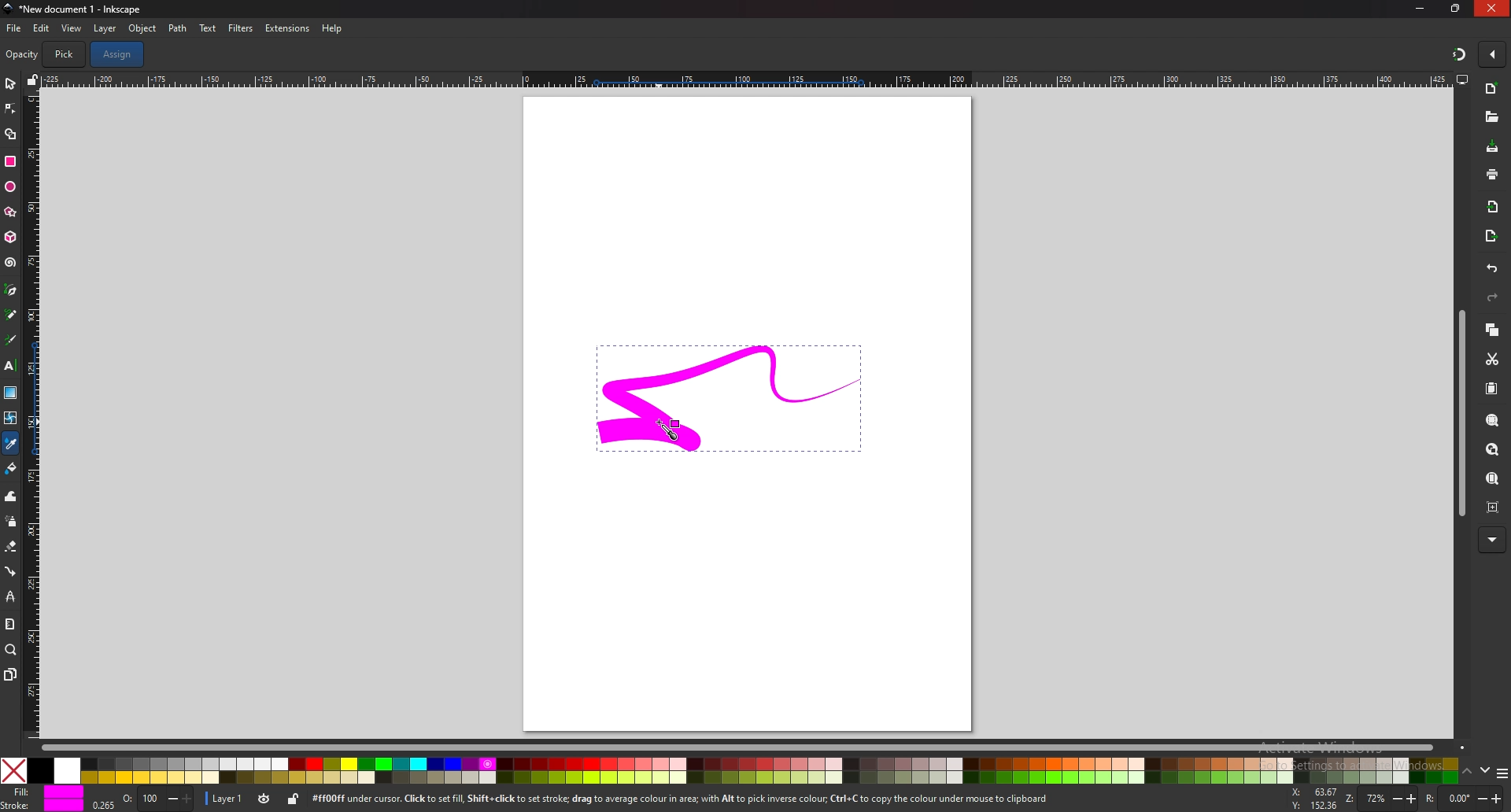 Image resolution: width=1511 pixels, height=812 pixels. I want to click on pen, so click(10, 289).